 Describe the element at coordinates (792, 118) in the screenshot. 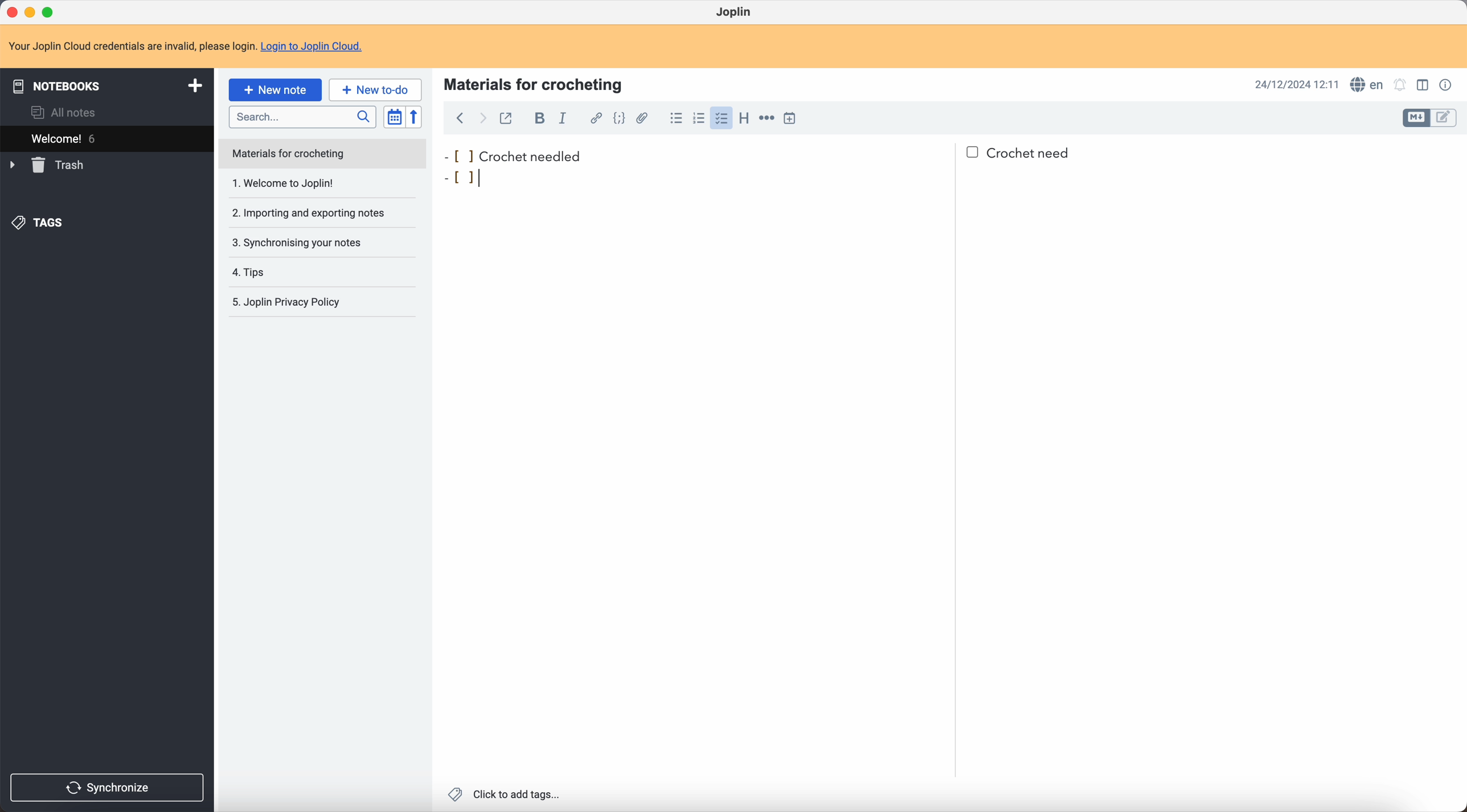

I see `insert time` at that location.